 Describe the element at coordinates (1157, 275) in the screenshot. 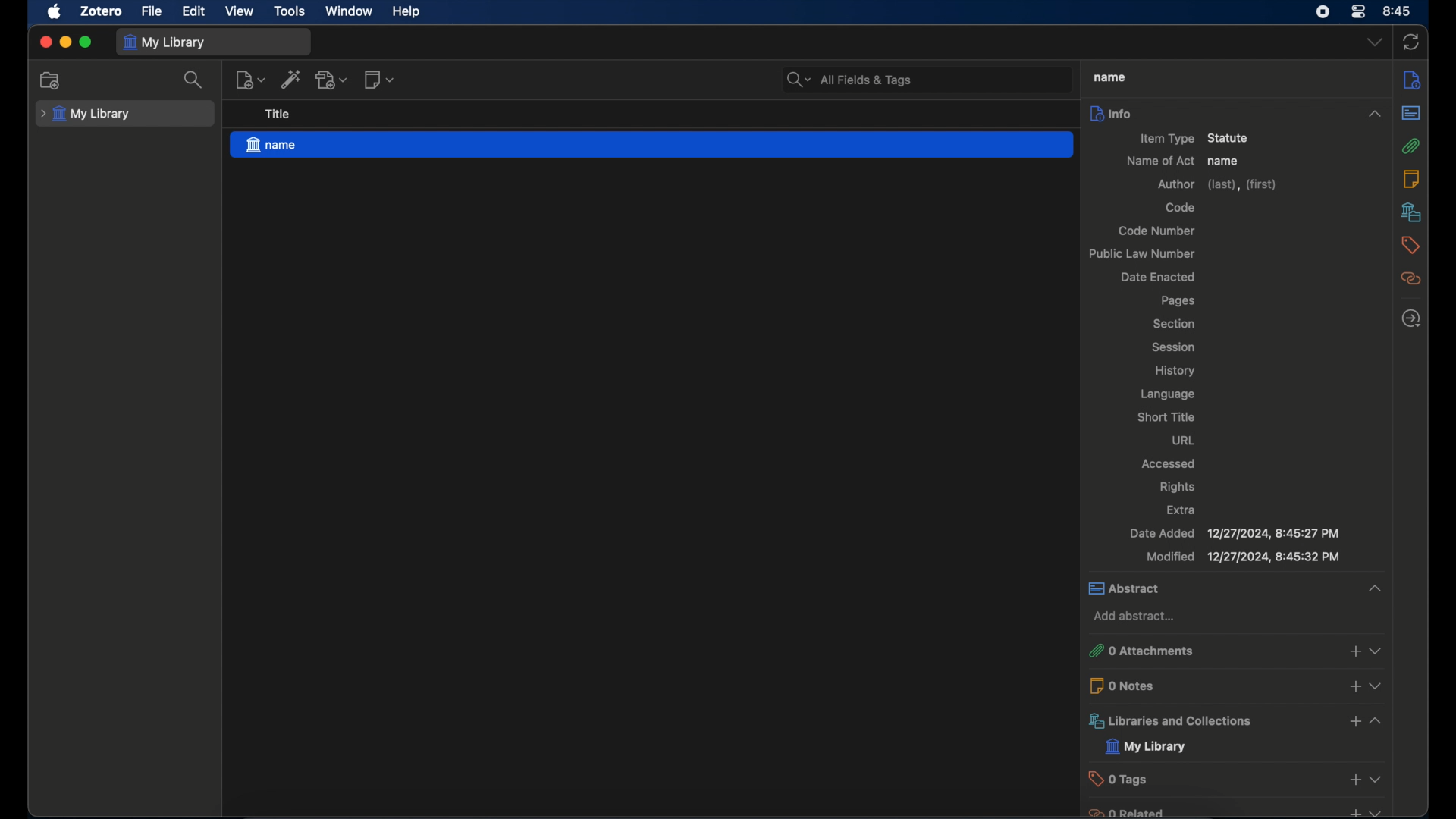

I see `date enacted` at that location.